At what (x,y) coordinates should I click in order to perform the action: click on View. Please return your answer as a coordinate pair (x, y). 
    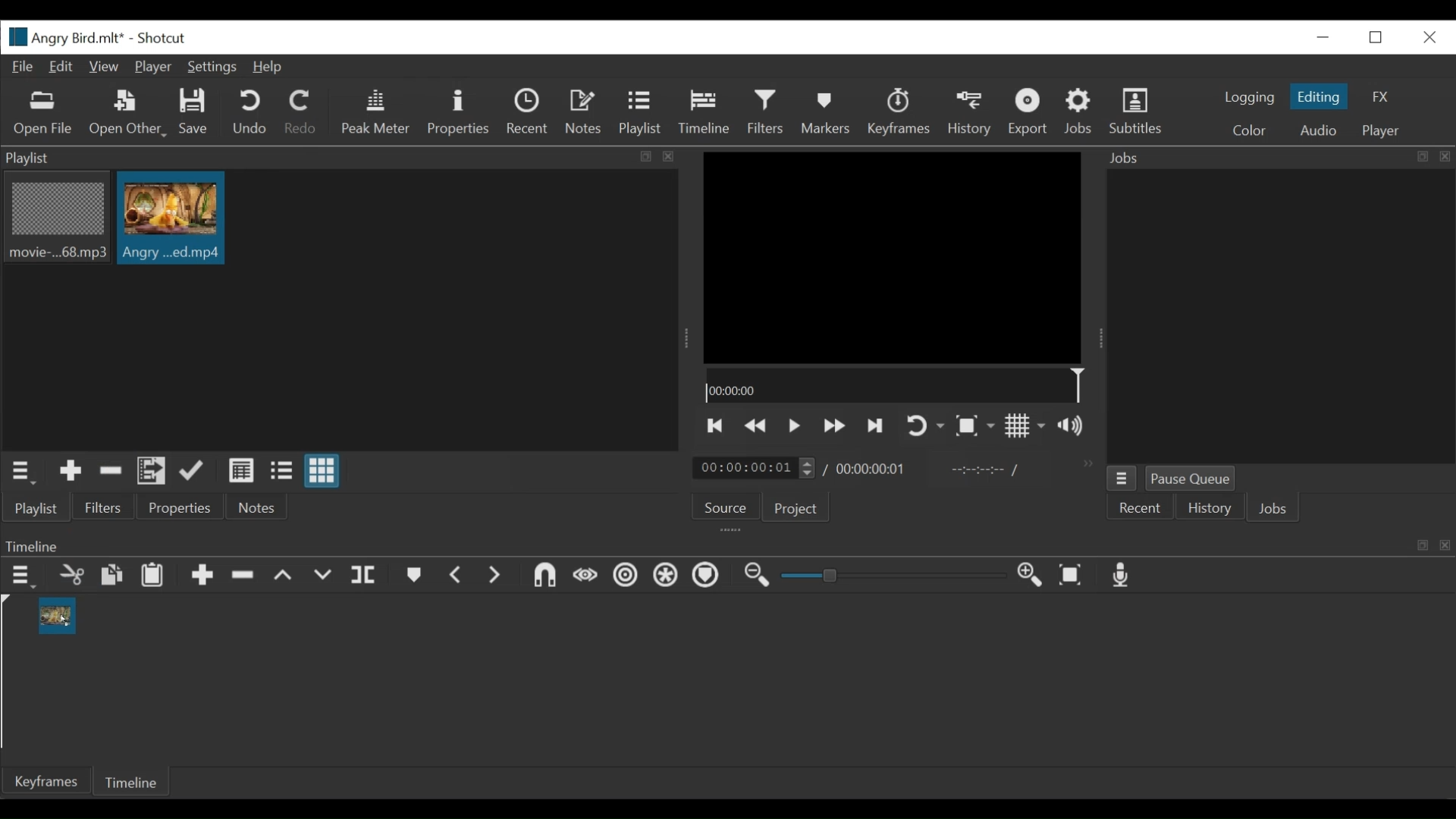
    Looking at the image, I should click on (105, 67).